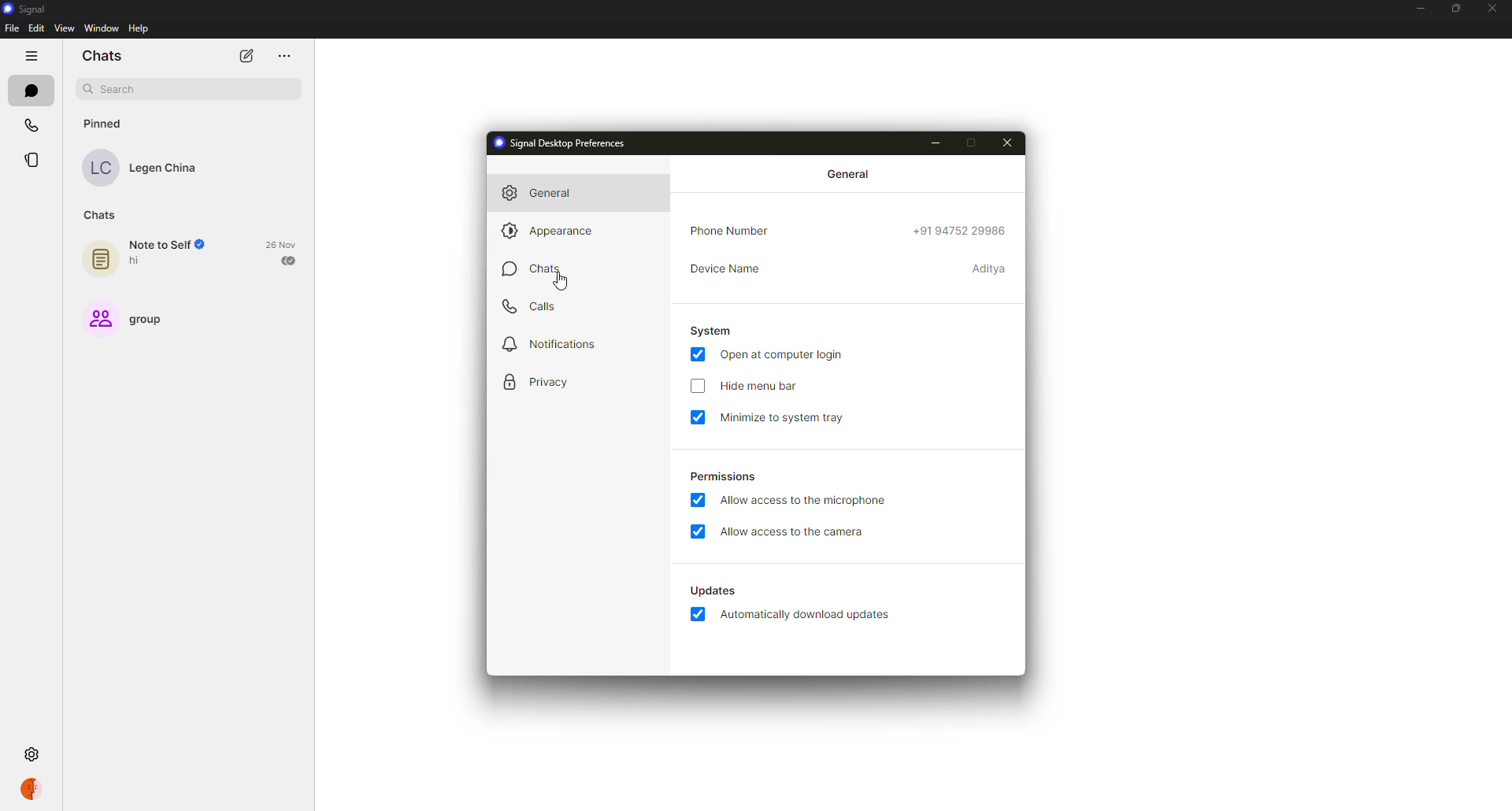 Image resolution: width=1512 pixels, height=811 pixels. Describe the element at coordinates (12, 28) in the screenshot. I see `file` at that location.